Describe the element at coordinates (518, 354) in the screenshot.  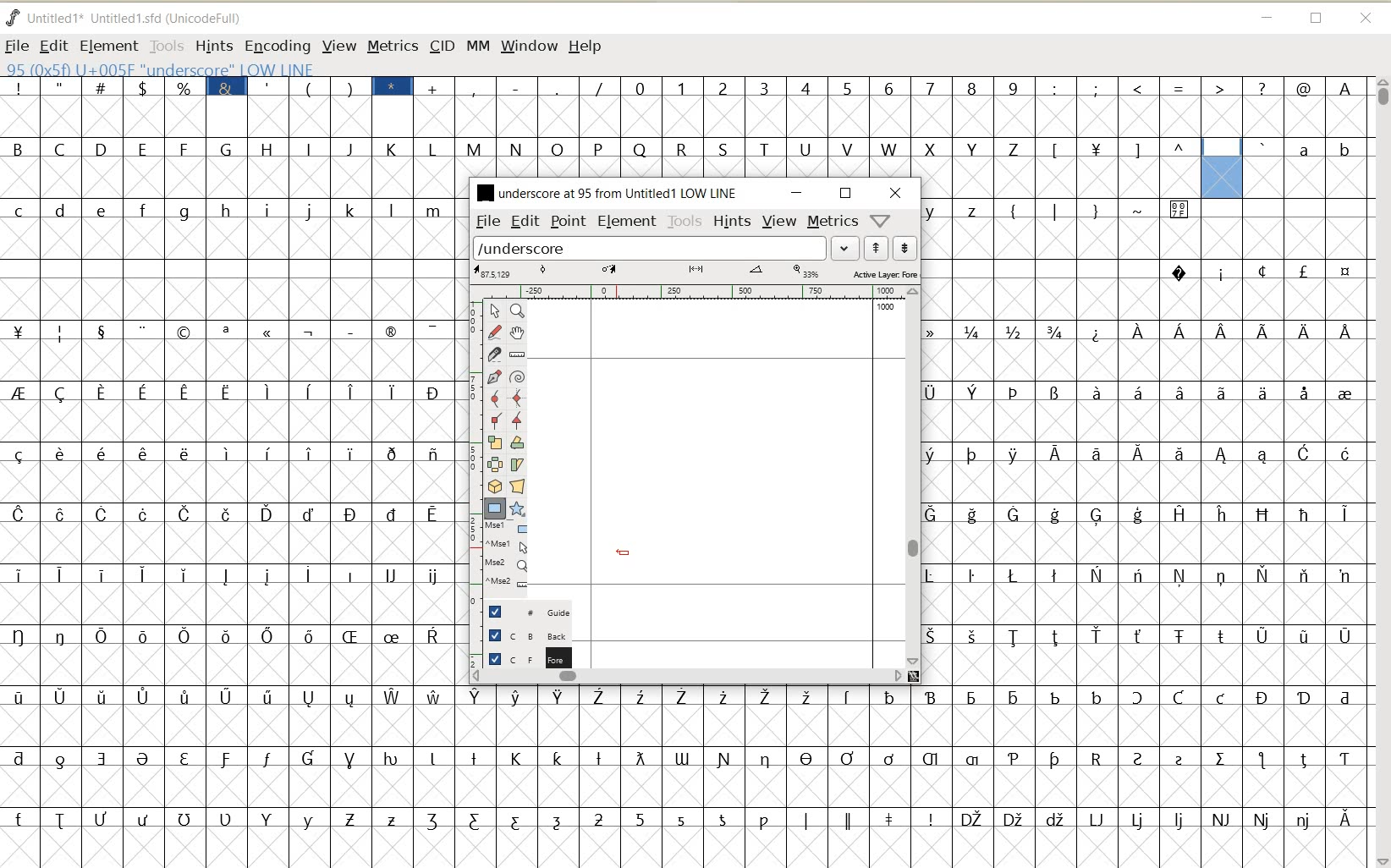
I see `measure a distance, angle between points` at that location.